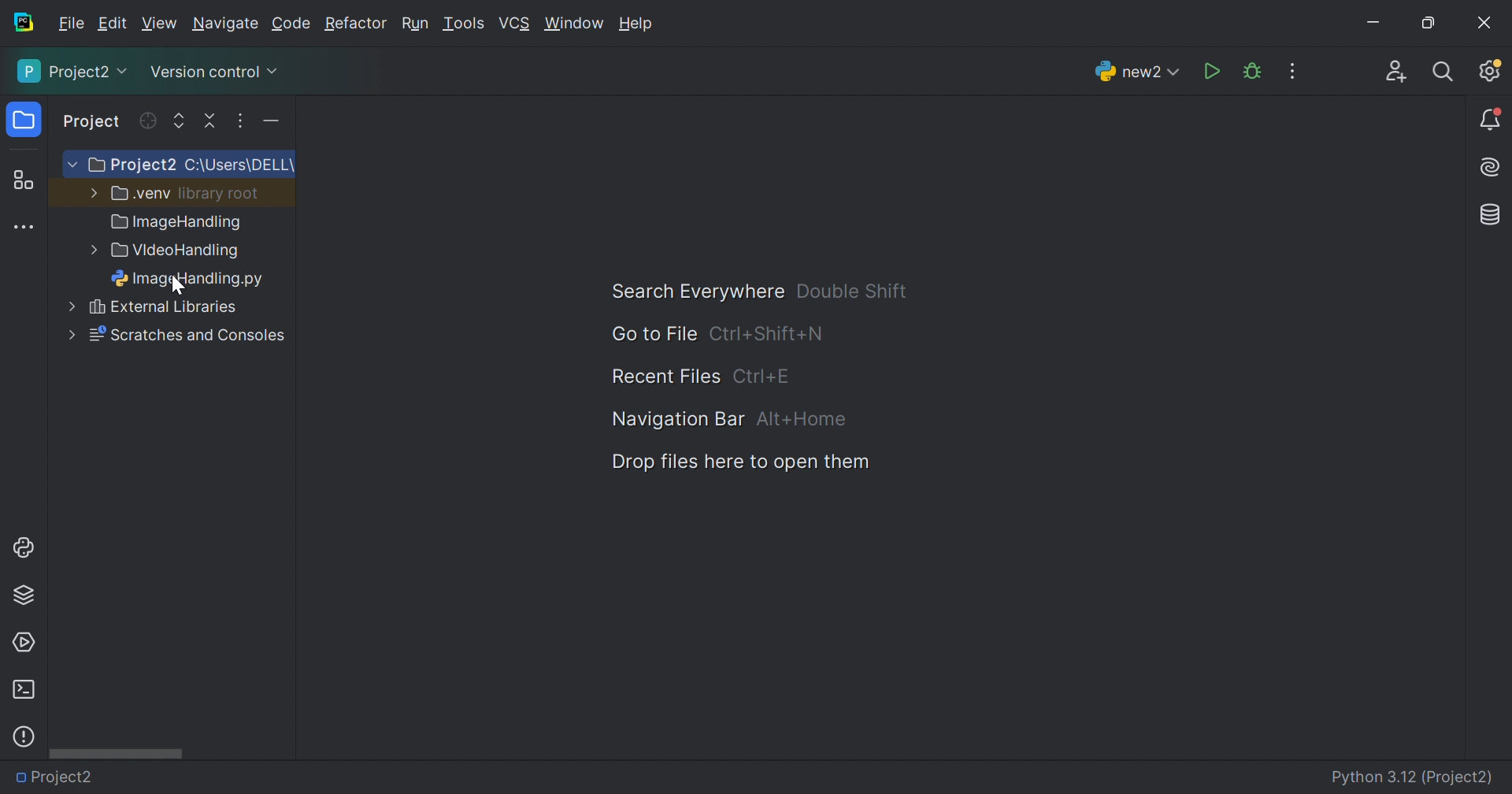 This screenshot has height=794, width=1512. I want to click on Project, so click(93, 123).